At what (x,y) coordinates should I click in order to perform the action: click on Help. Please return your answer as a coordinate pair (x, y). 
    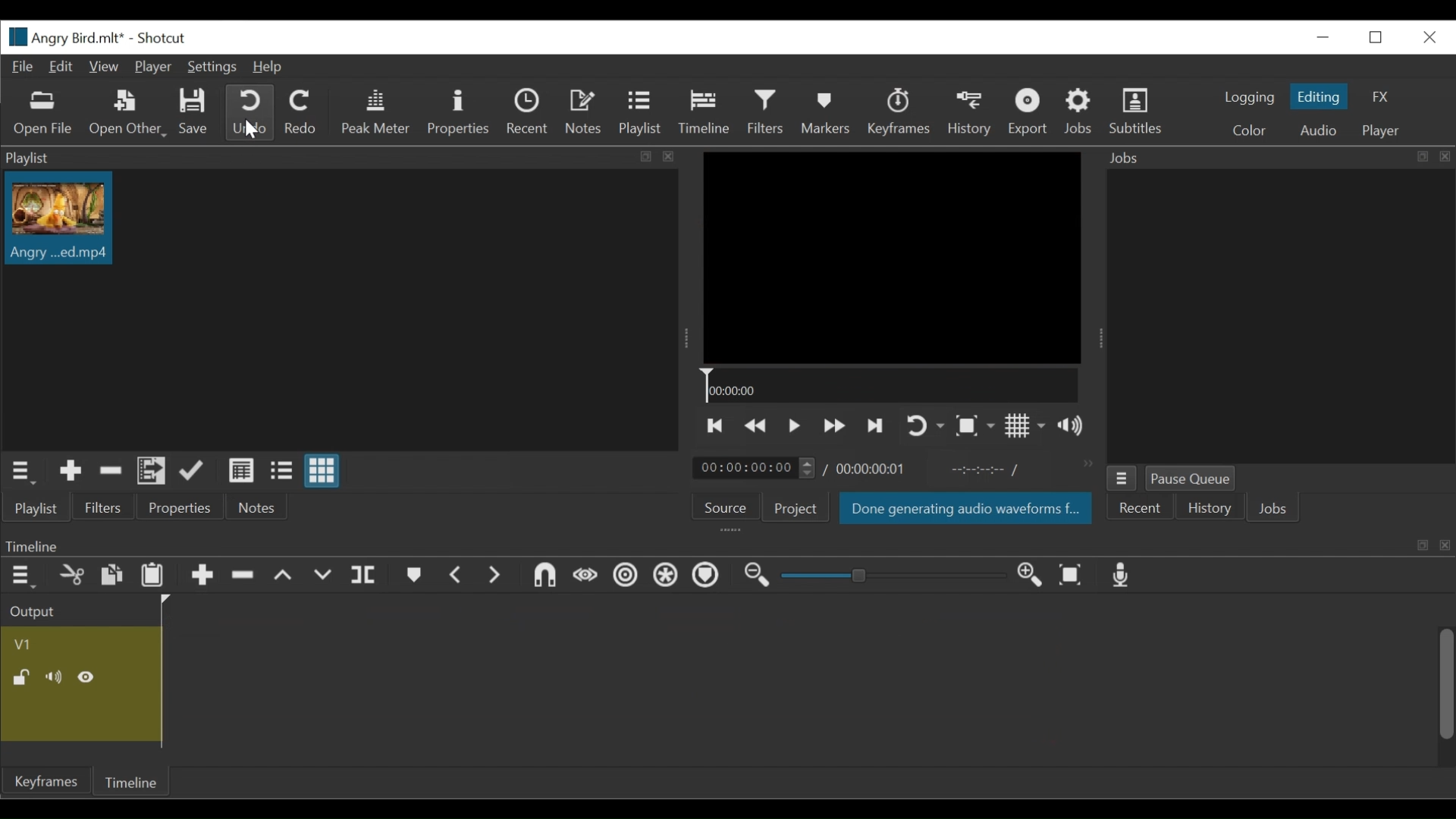
    Looking at the image, I should click on (269, 66).